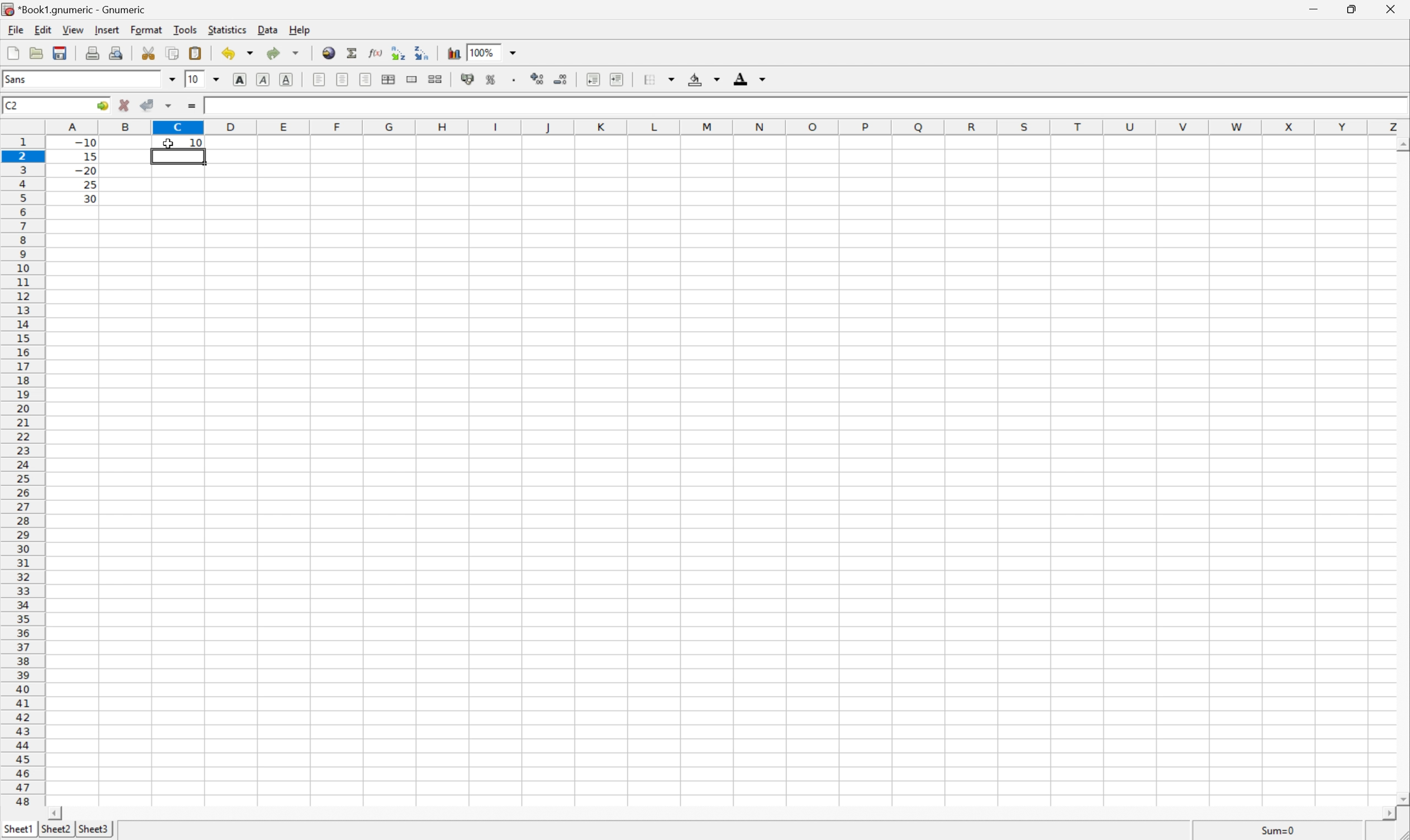 The image size is (1410, 840). What do you see at coordinates (19, 827) in the screenshot?
I see `Sheet1` at bounding box center [19, 827].